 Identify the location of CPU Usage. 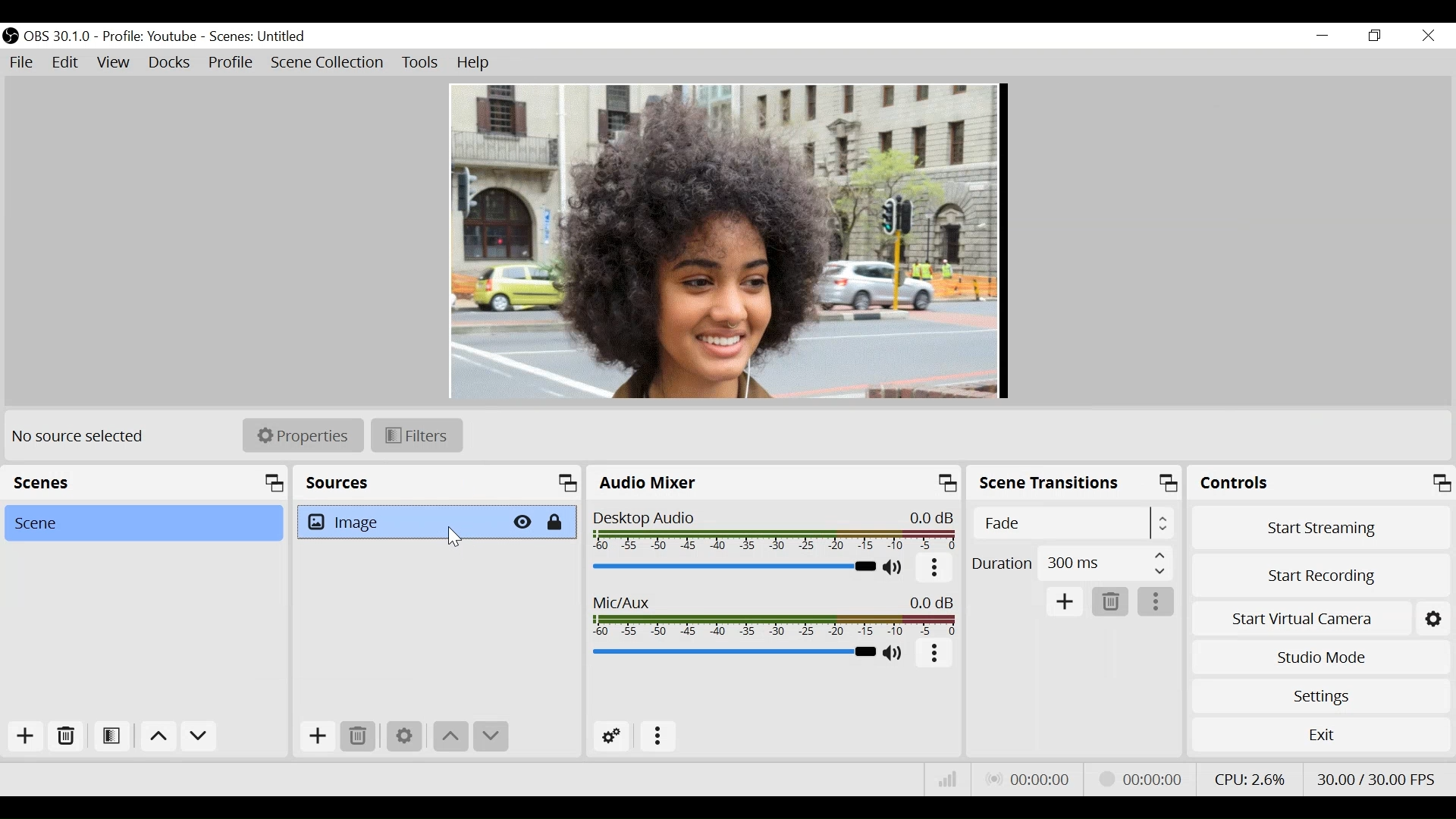
(1254, 779).